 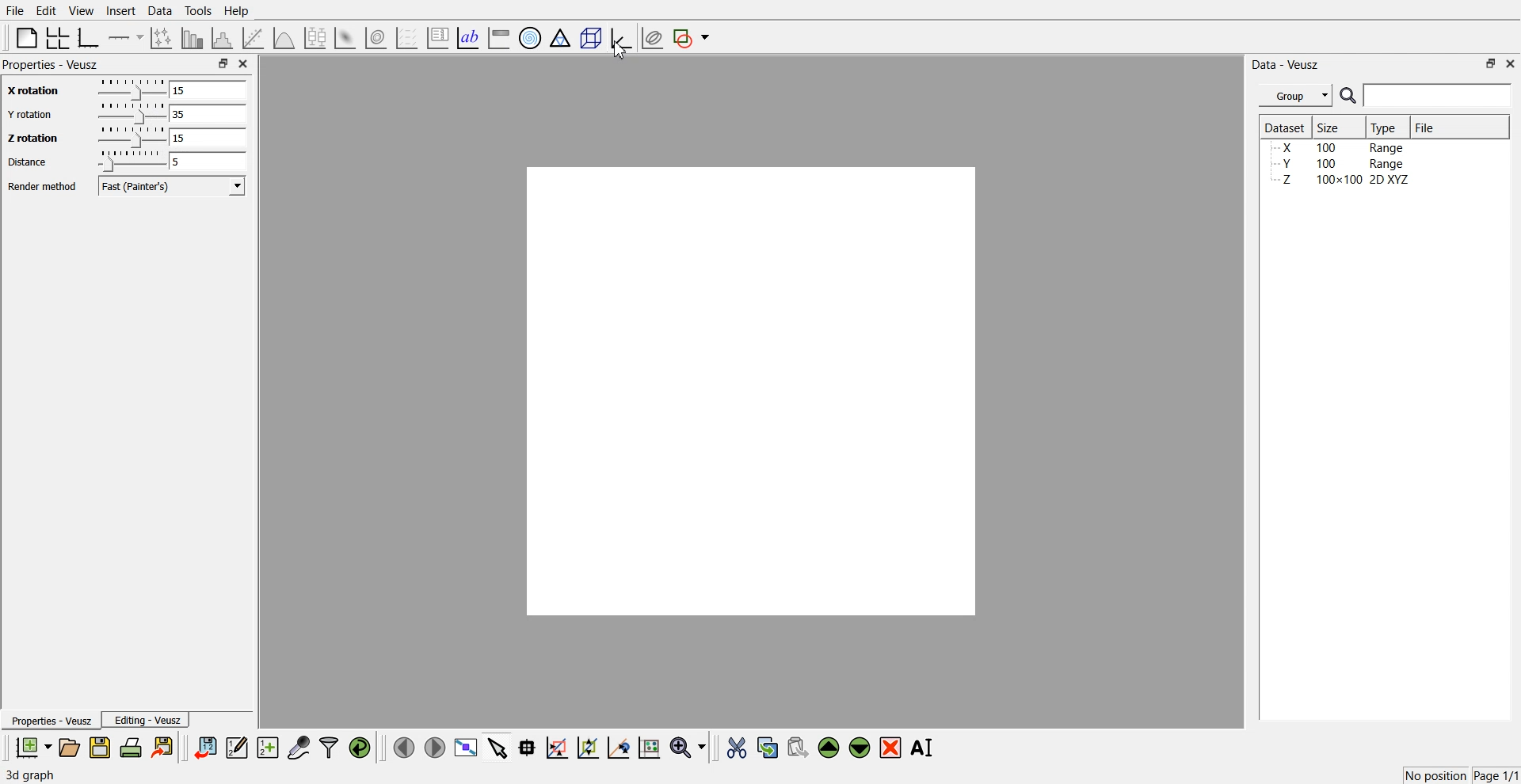 What do you see at coordinates (467, 747) in the screenshot?
I see `View plot full screen` at bounding box center [467, 747].